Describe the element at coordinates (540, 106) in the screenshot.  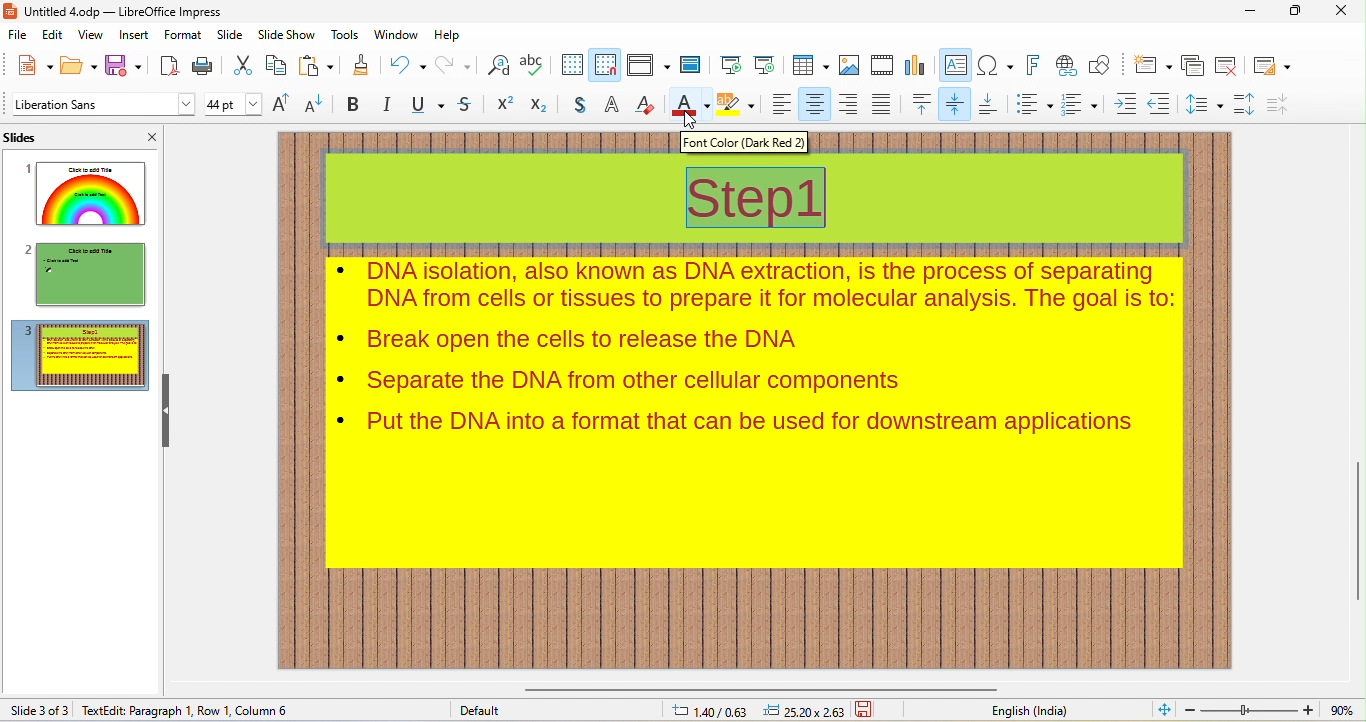
I see `subscript` at that location.